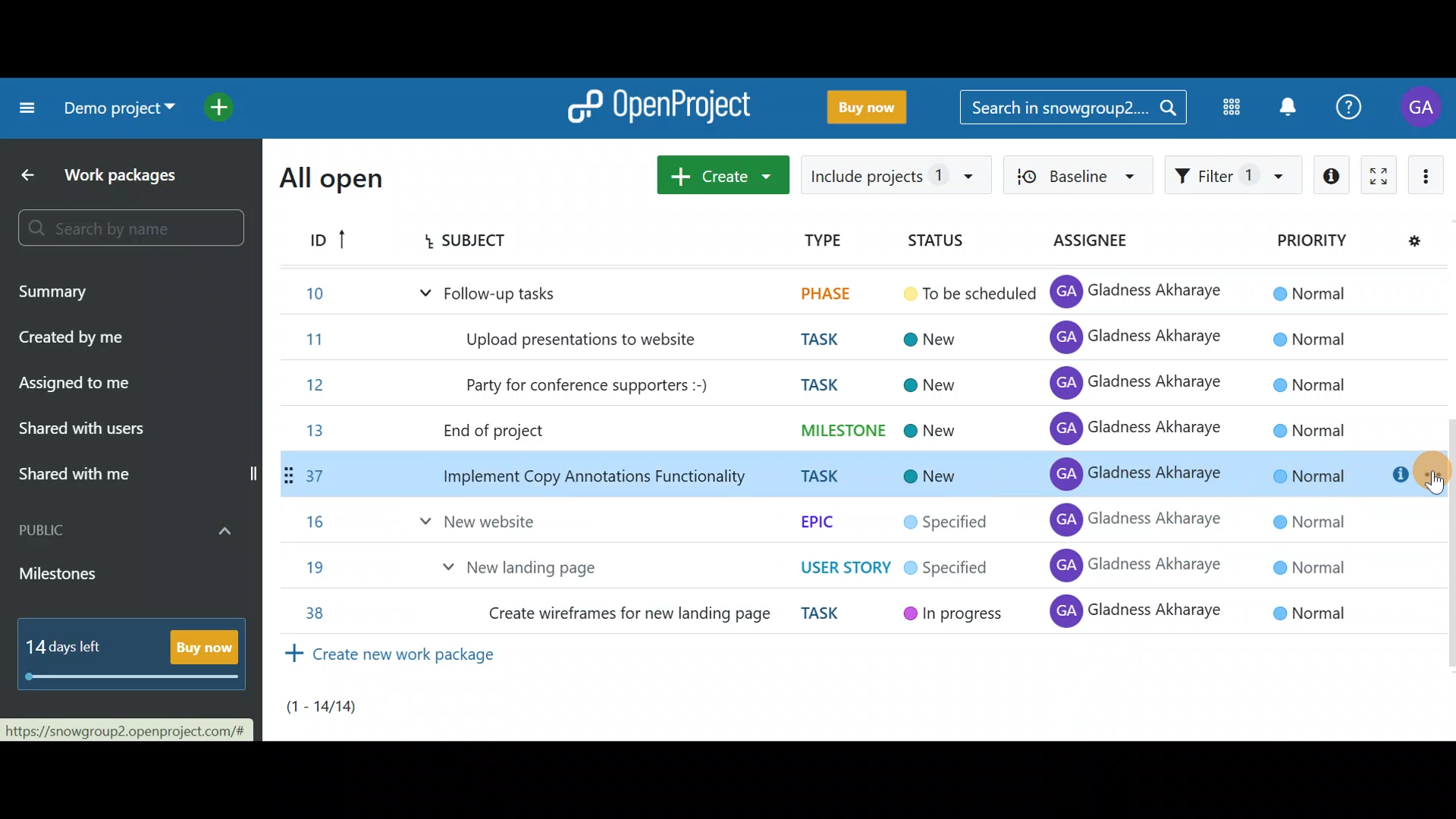 The height and width of the screenshot is (819, 1456). I want to click on Follow-up tasks, so click(494, 293).